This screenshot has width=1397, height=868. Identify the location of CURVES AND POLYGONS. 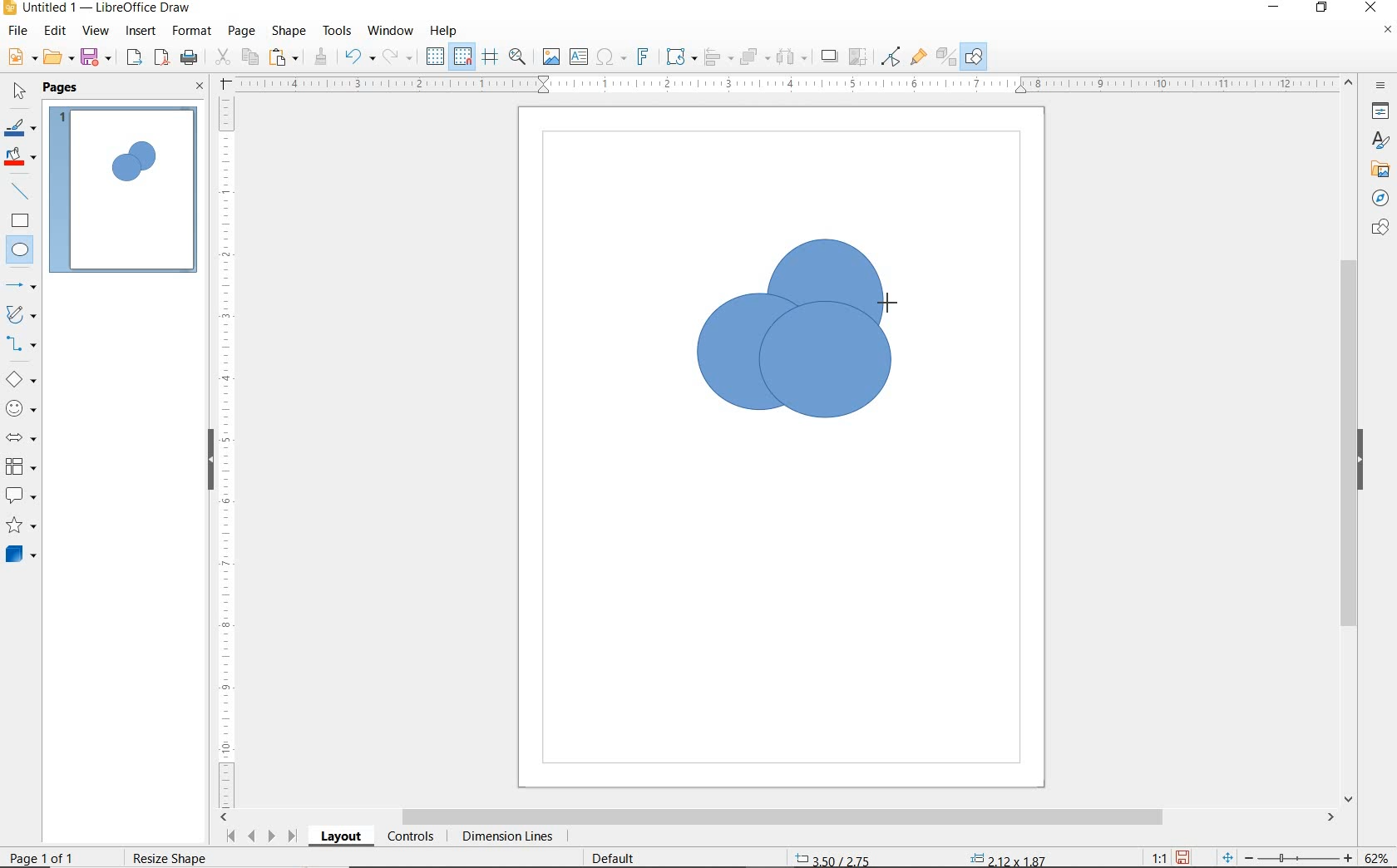
(20, 316).